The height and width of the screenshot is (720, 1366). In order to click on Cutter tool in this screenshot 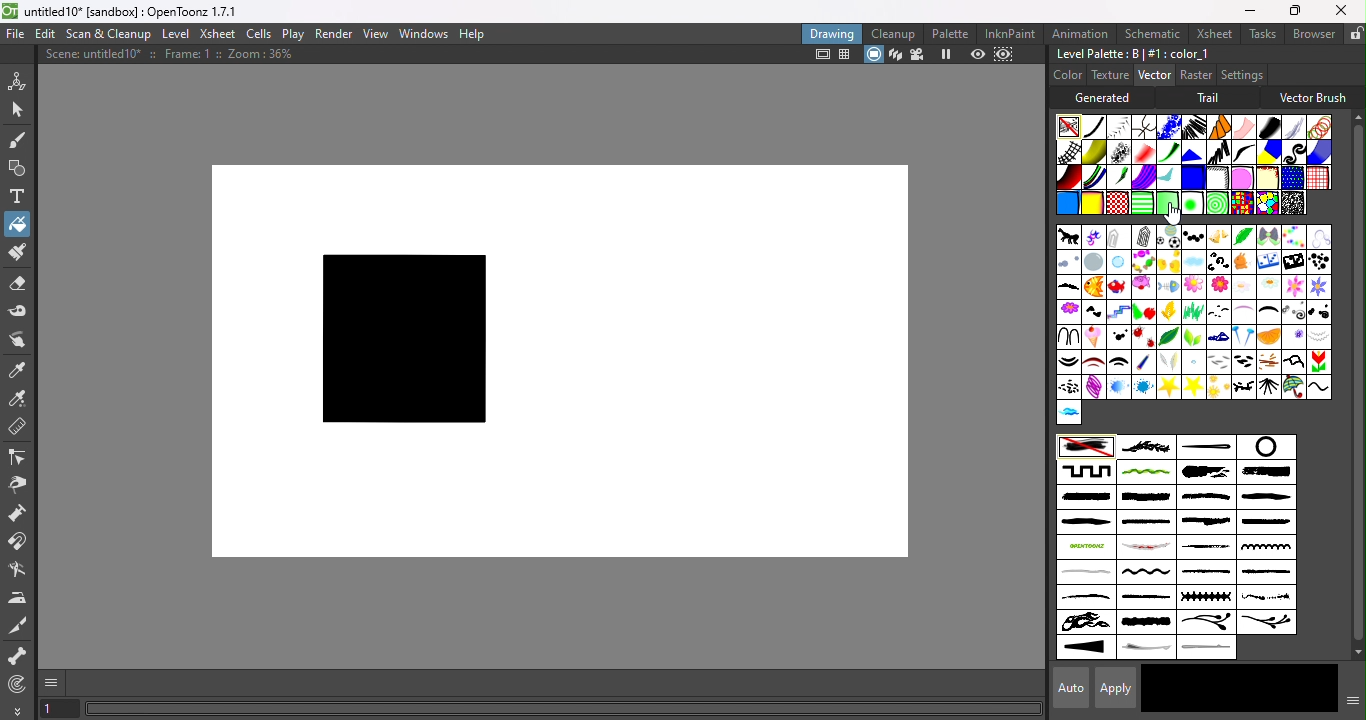, I will do `click(17, 571)`.